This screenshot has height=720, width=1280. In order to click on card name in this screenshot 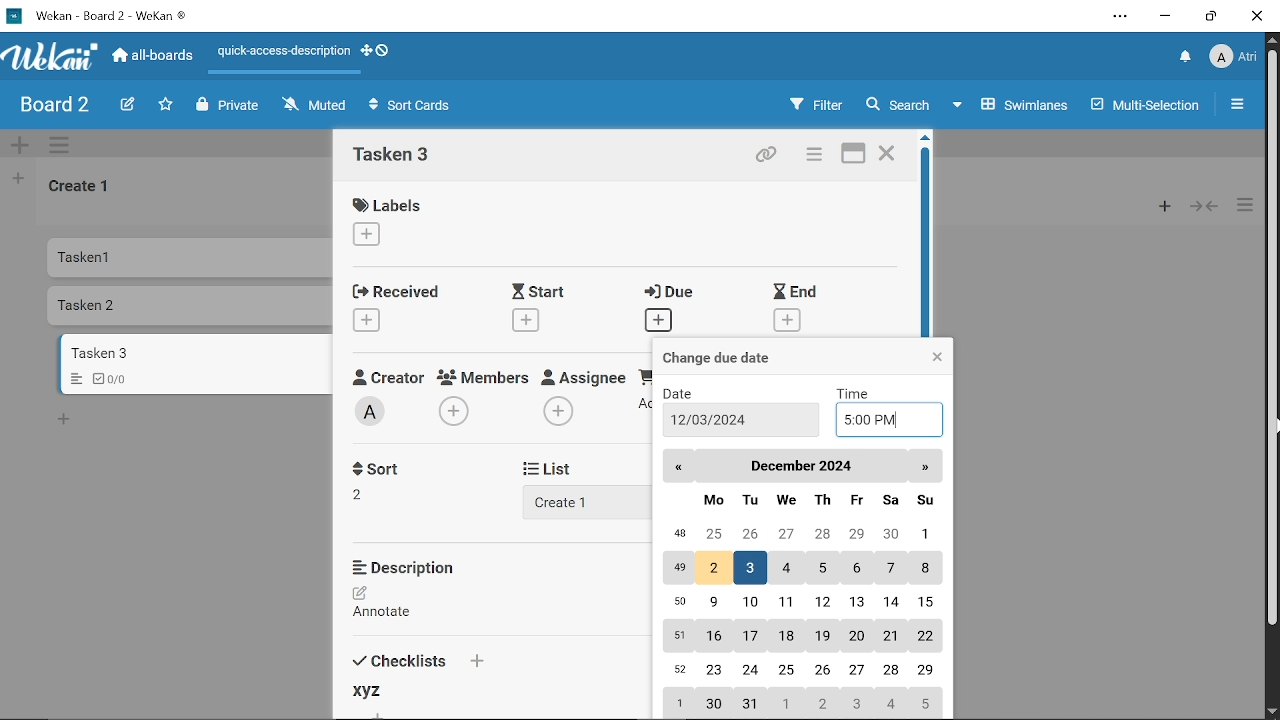, I will do `click(399, 157)`.